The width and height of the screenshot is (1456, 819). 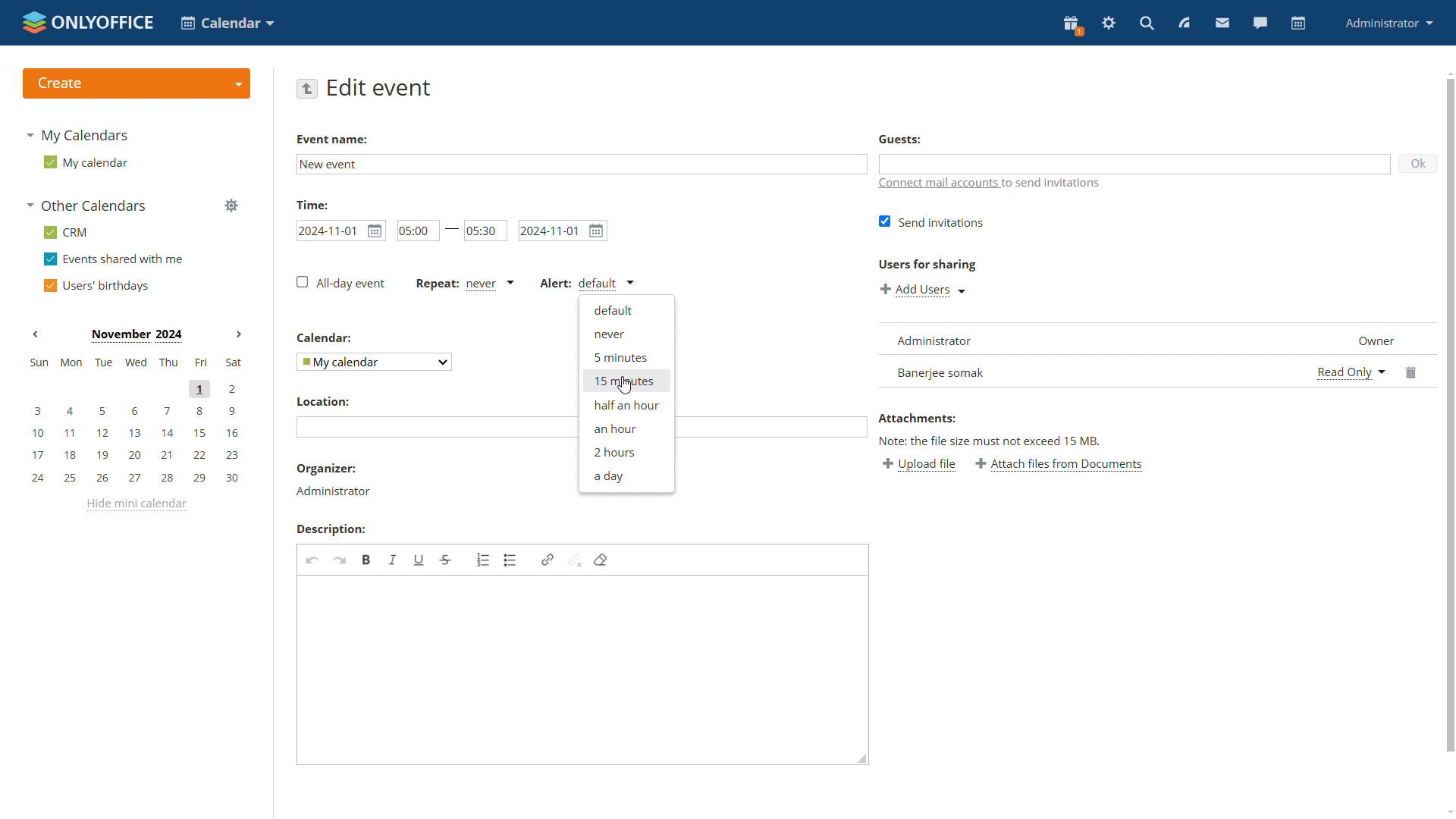 What do you see at coordinates (231, 206) in the screenshot?
I see `manage` at bounding box center [231, 206].